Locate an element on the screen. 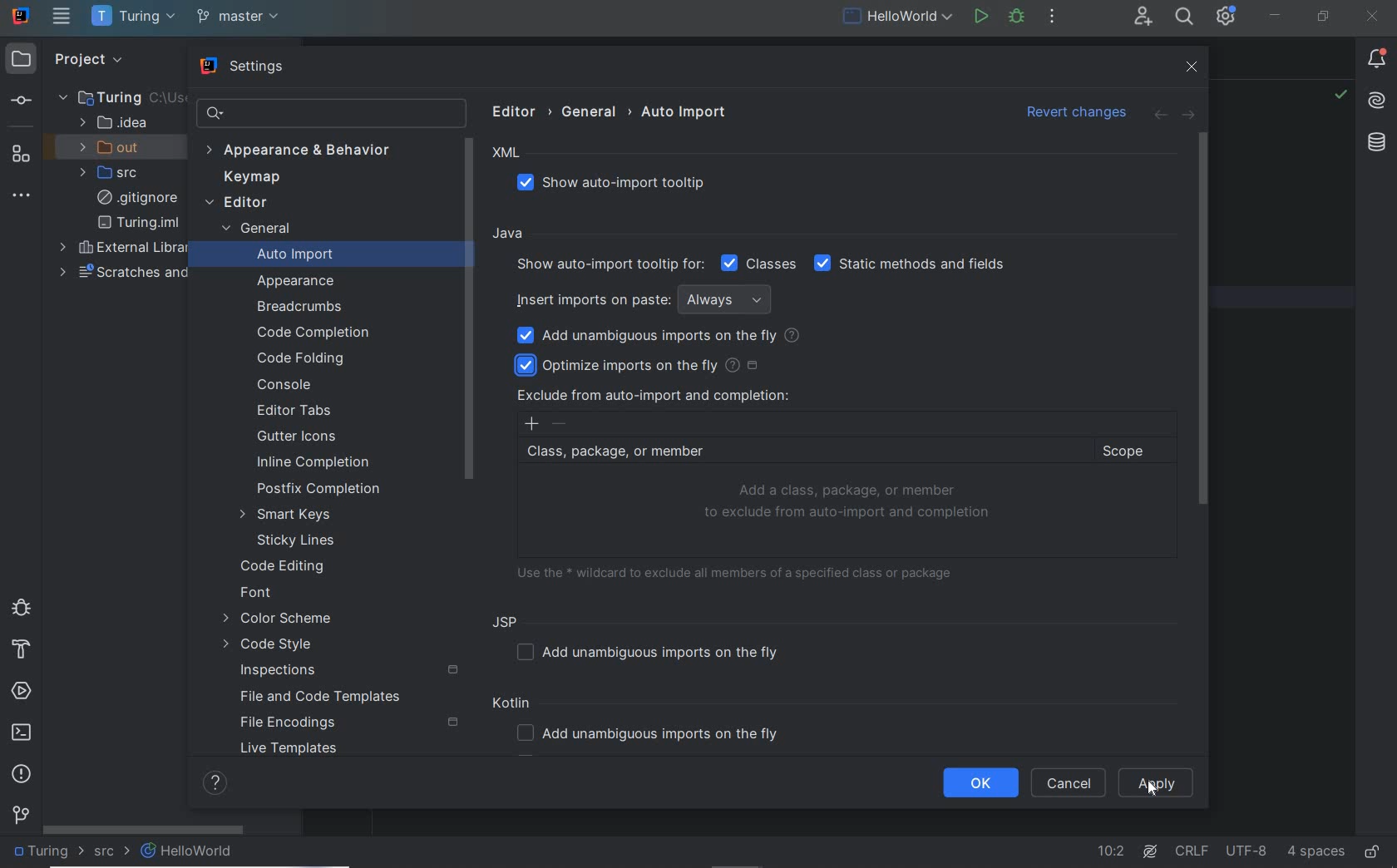 This screenshot has height=868, width=1397. SMART KEYS is located at coordinates (292, 515).